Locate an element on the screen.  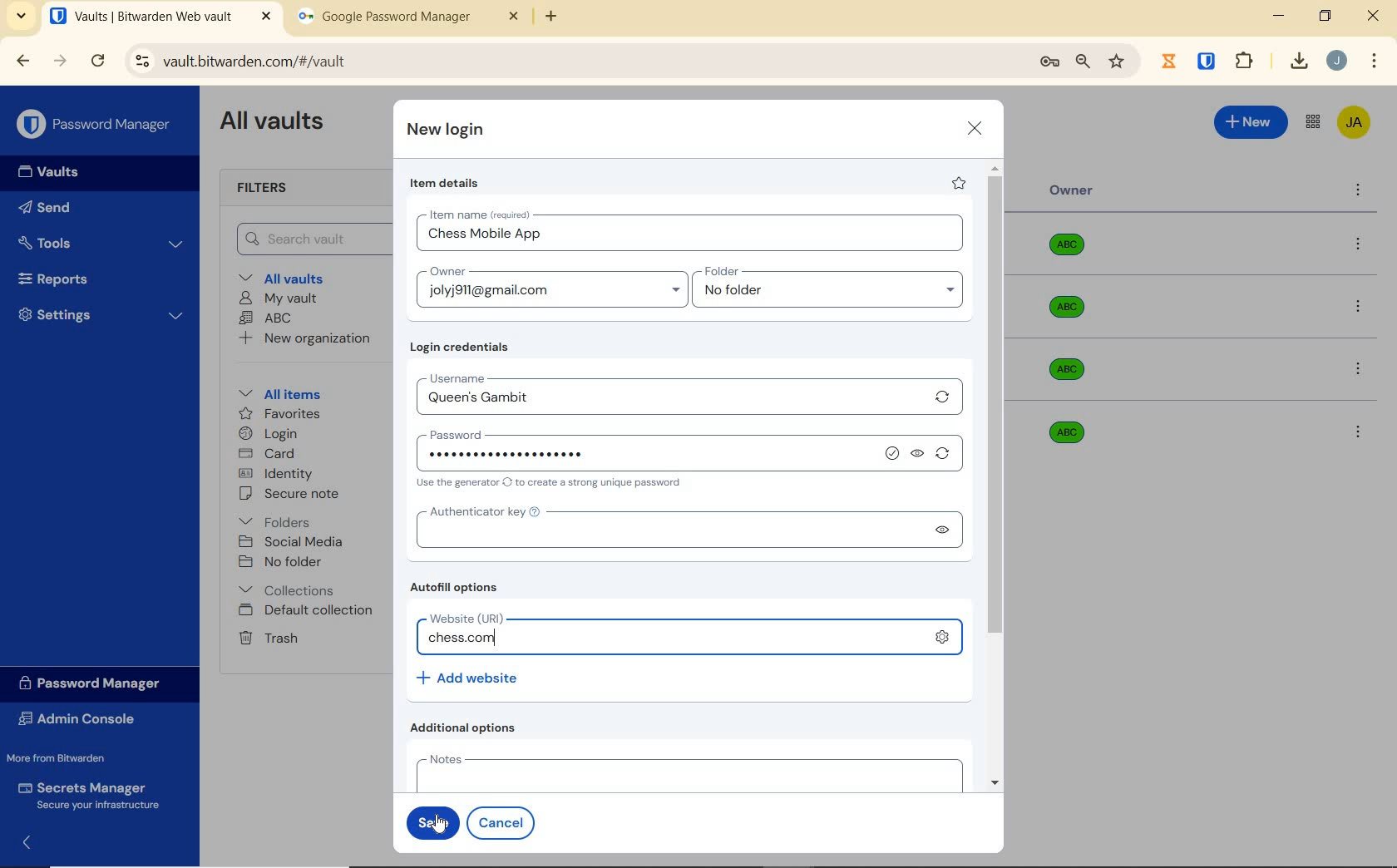
reload is located at coordinates (97, 62).